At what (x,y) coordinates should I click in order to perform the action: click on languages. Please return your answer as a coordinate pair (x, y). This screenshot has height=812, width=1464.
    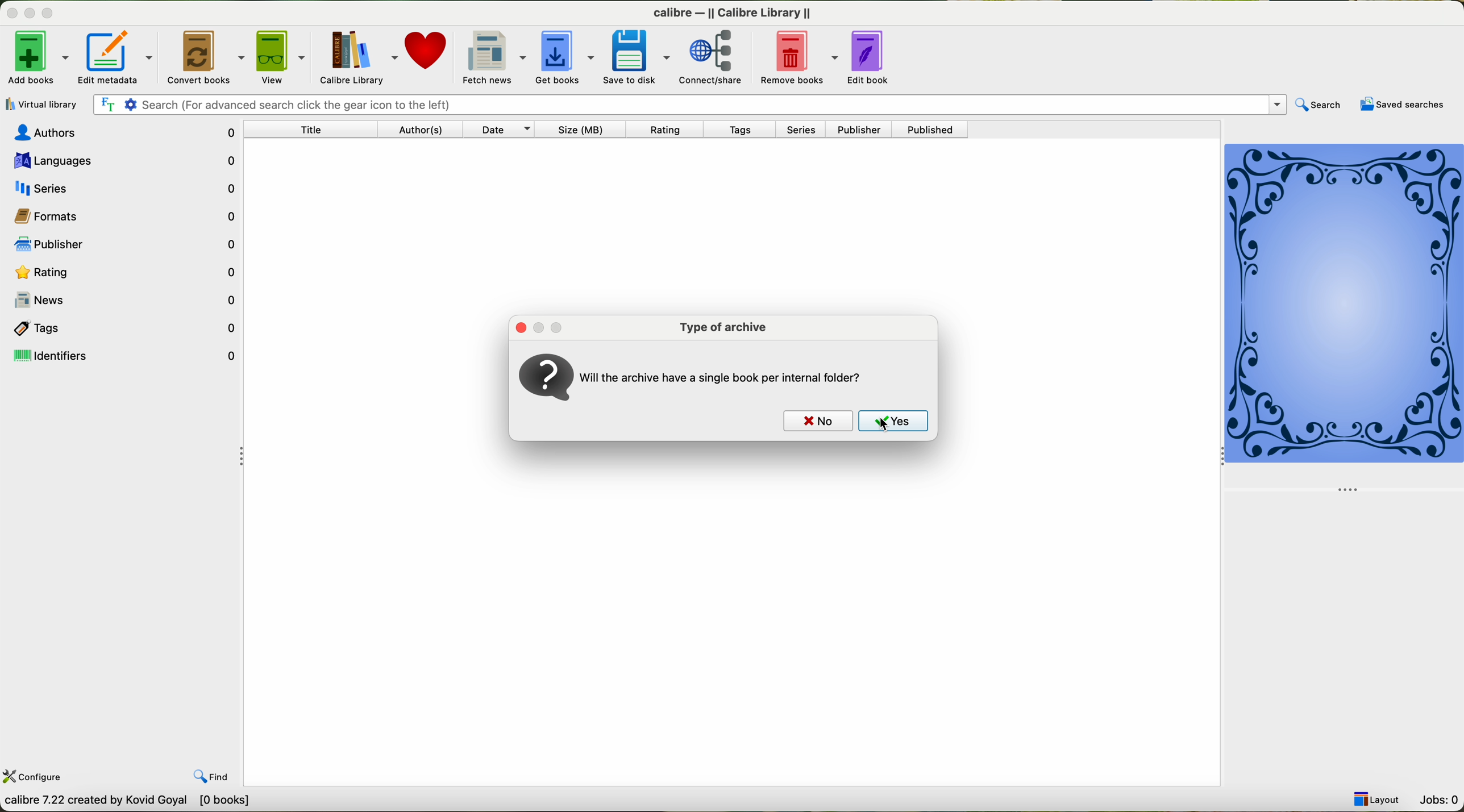
    Looking at the image, I should click on (121, 161).